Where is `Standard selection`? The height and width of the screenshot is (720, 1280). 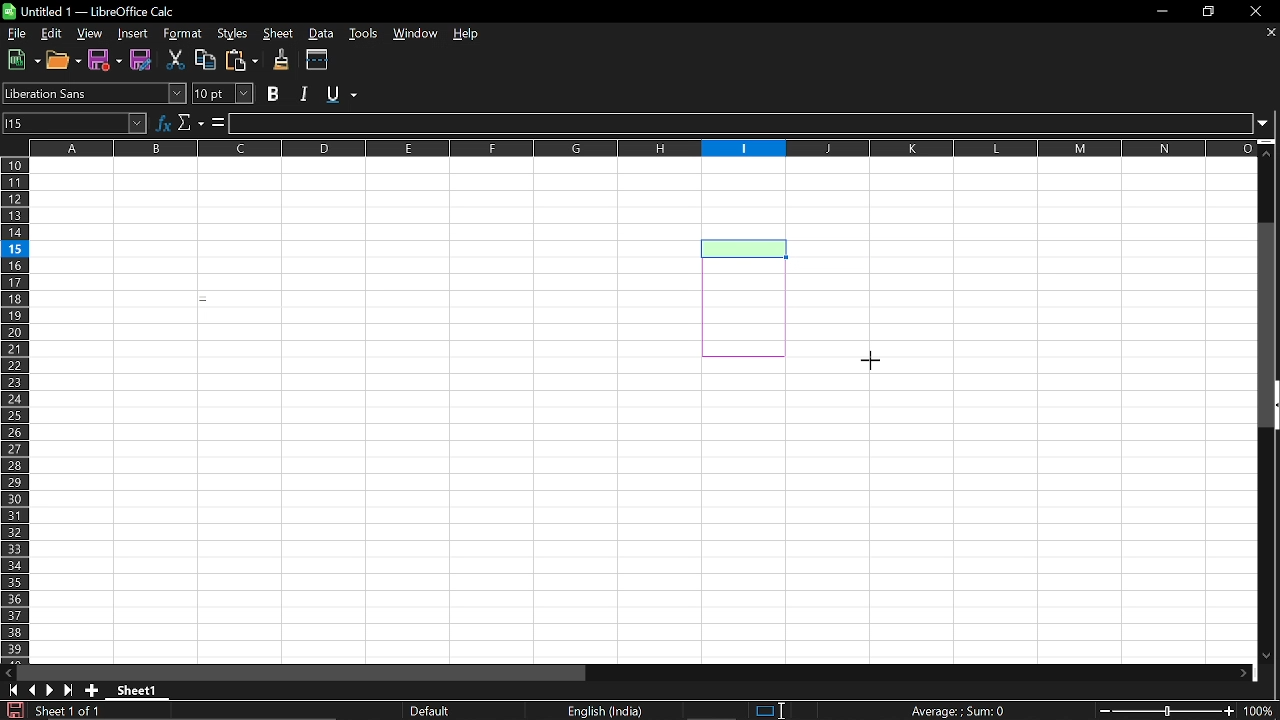
Standard selection is located at coordinates (762, 709).